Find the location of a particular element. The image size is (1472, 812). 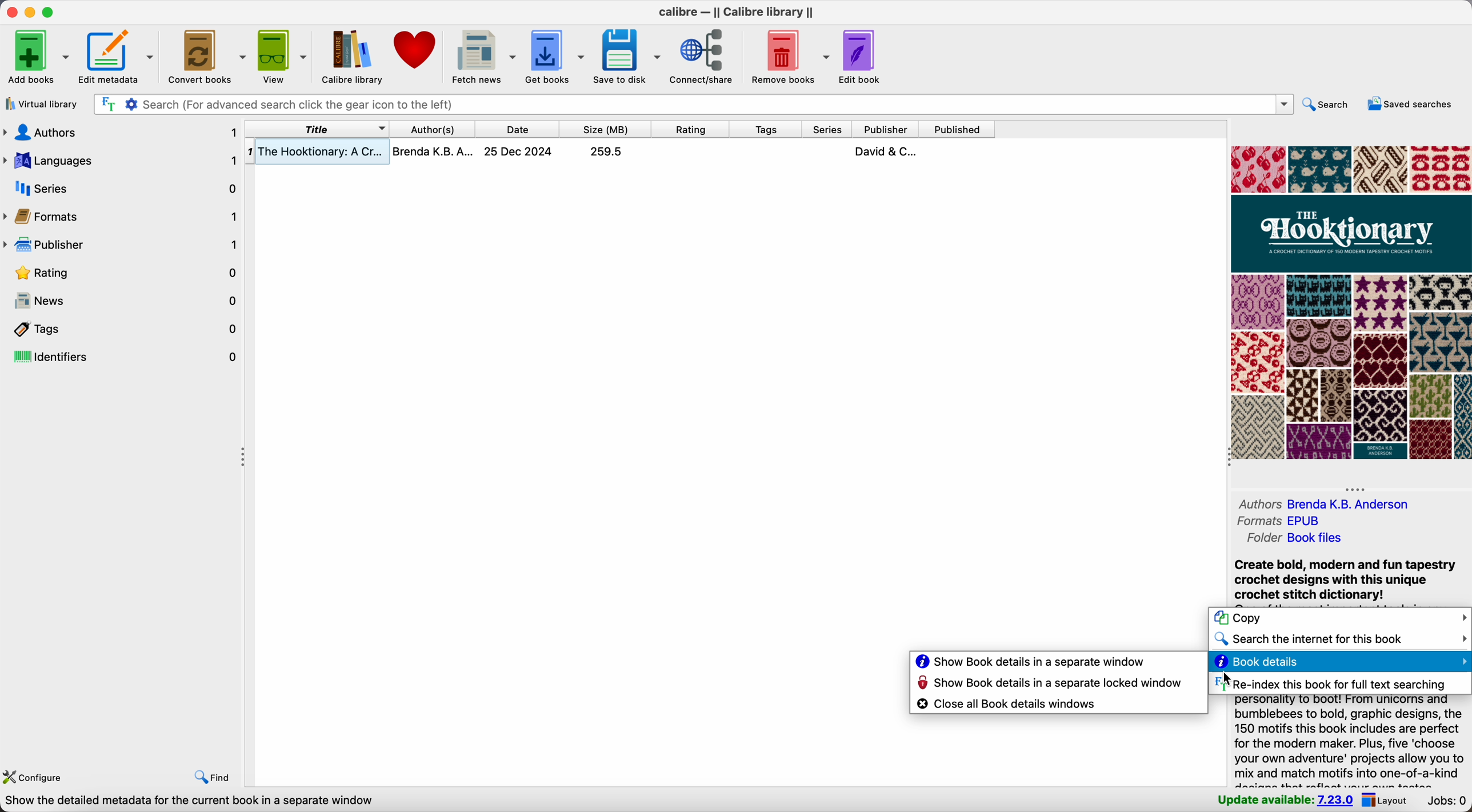

jobs: 0 is located at coordinates (1448, 802).